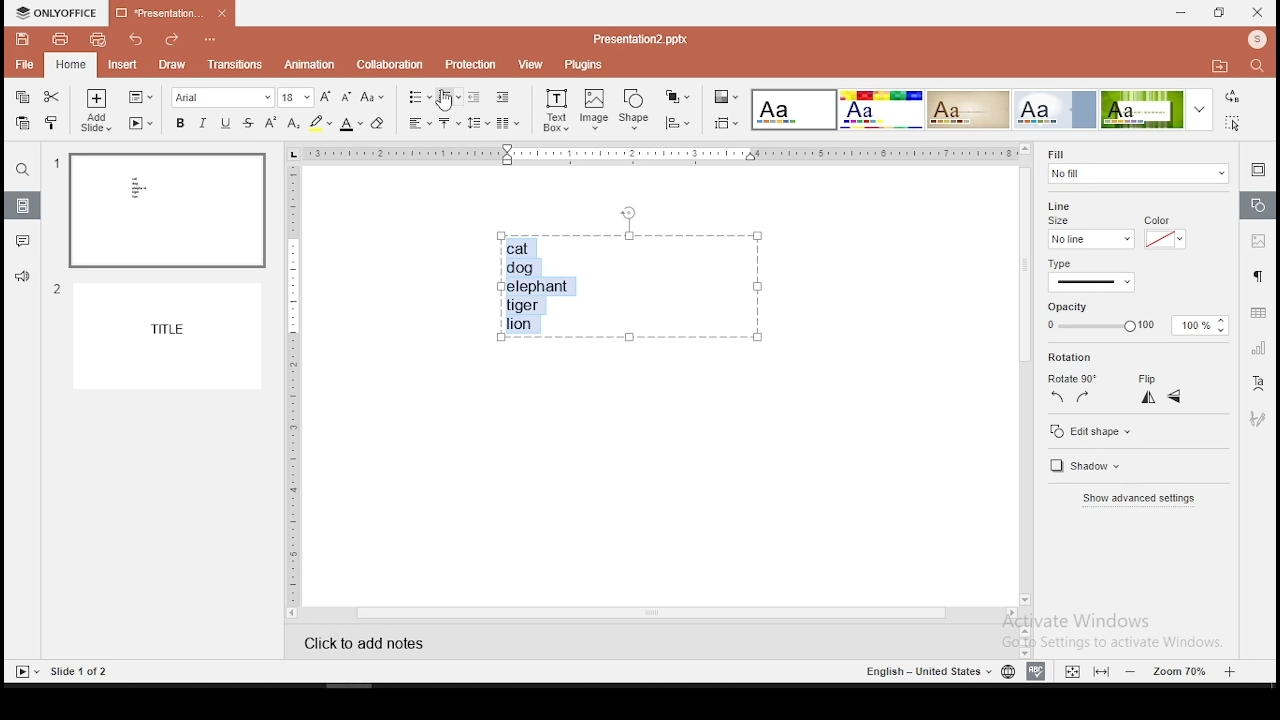  Describe the element at coordinates (172, 64) in the screenshot. I see `draw` at that location.